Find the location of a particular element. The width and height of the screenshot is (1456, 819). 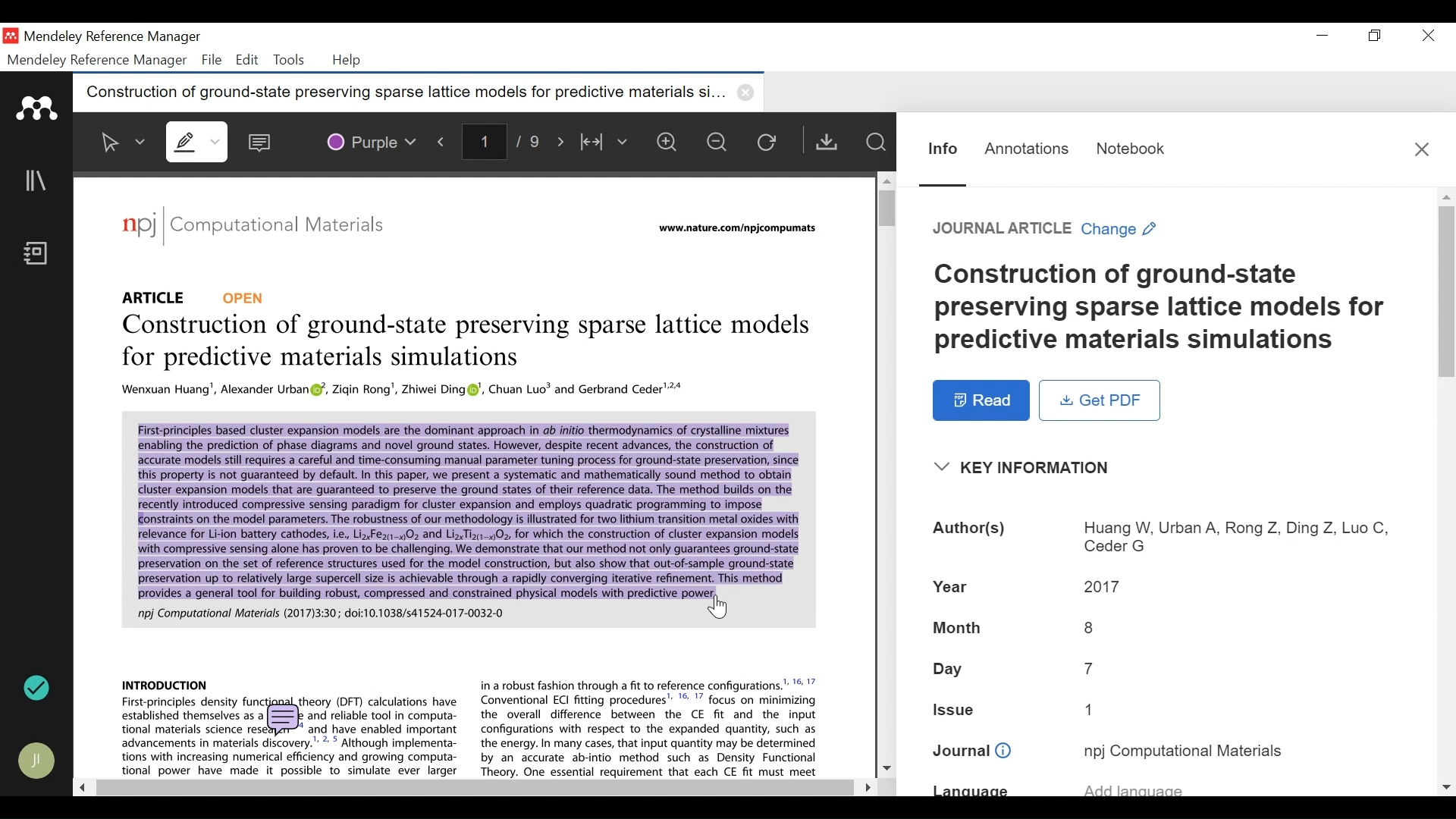

Select is located at coordinates (124, 142).